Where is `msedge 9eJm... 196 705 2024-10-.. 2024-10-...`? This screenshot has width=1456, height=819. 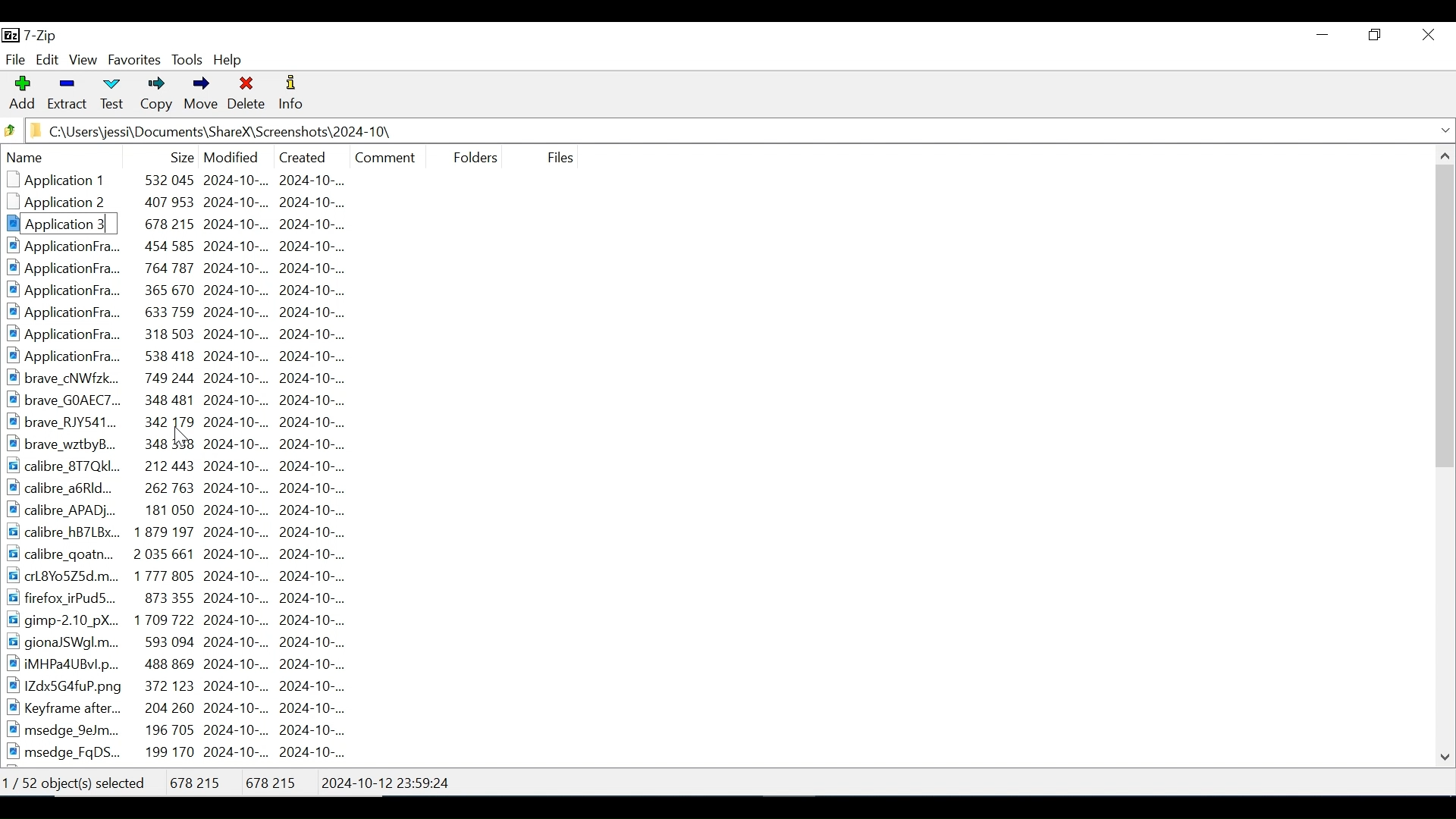
msedge 9eJm... 196 705 2024-10-.. 2024-10-... is located at coordinates (185, 730).